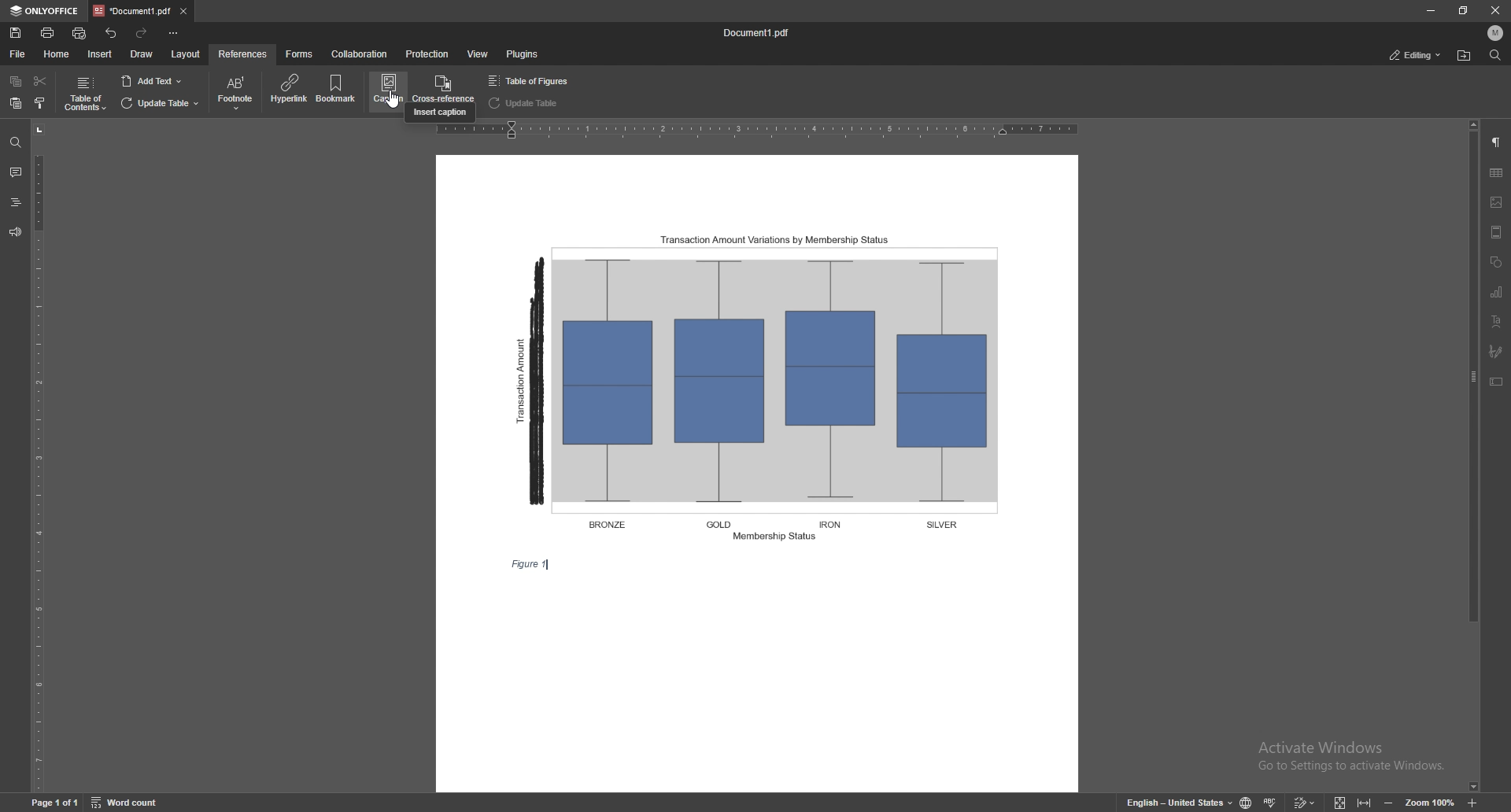  Describe the element at coordinates (187, 54) in the screenshot. I see `layout` at that location.